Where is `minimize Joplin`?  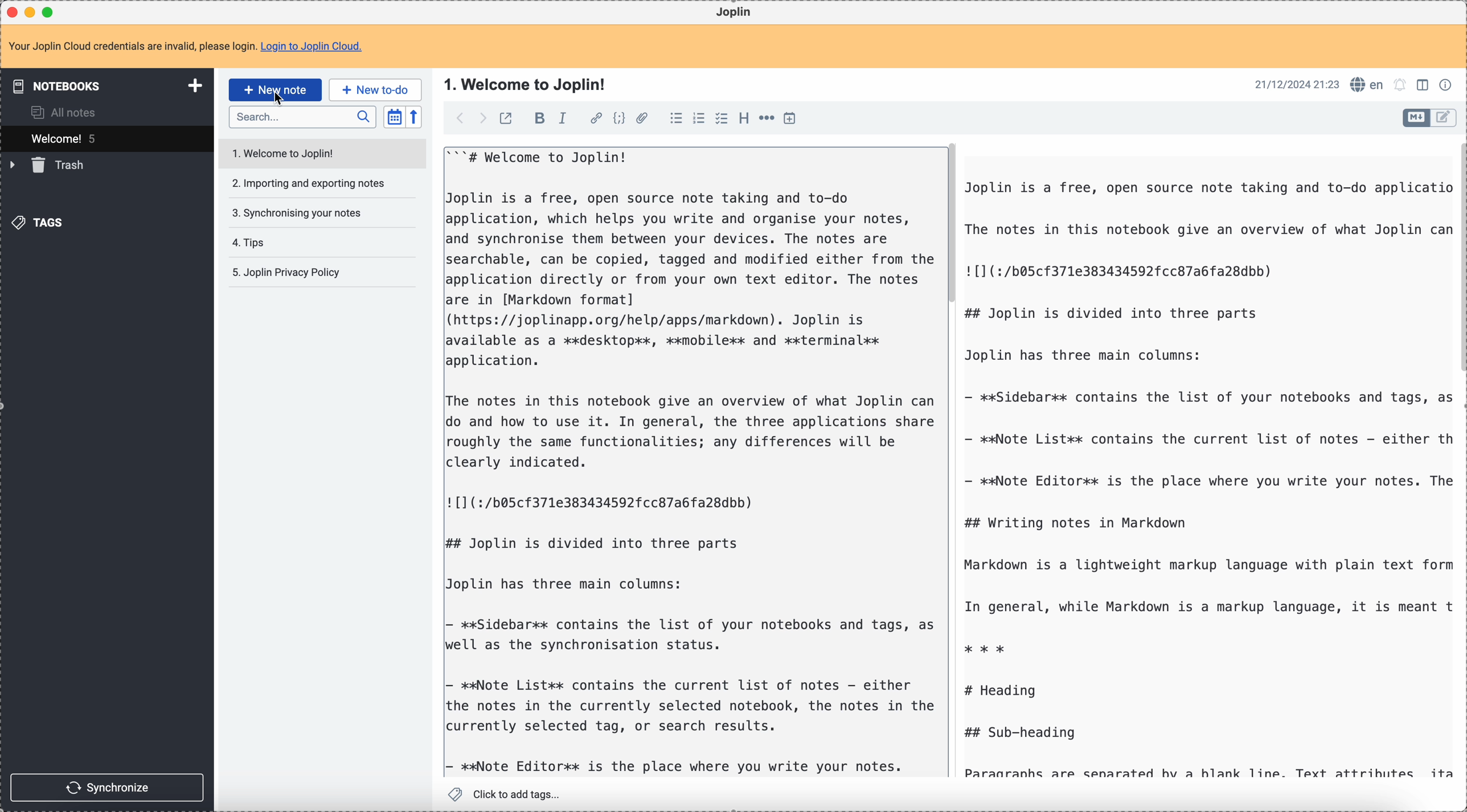 minimize Joplin is located at coordinates (32, 12).